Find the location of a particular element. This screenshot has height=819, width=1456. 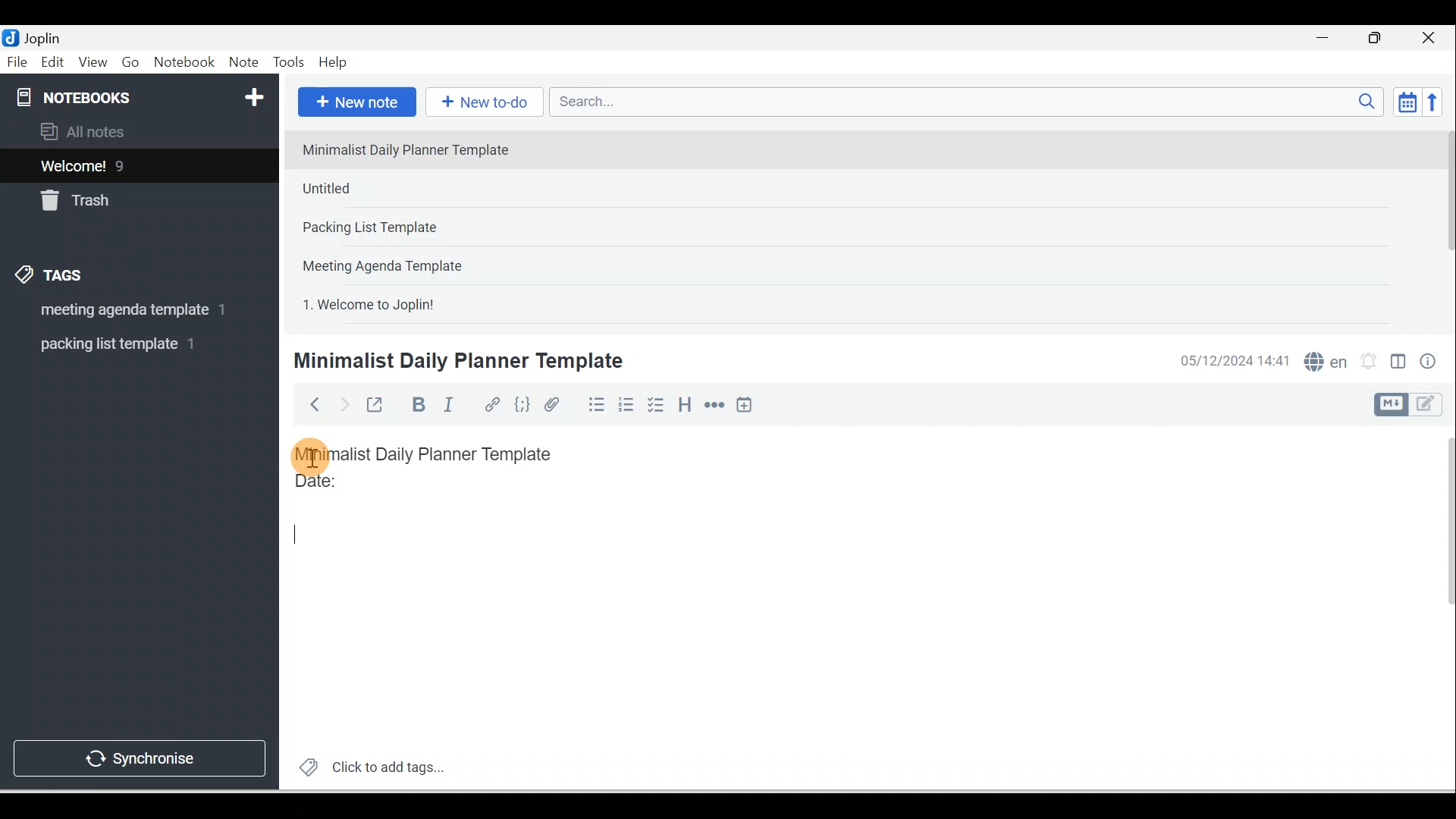

Go is located at coordinates (133, 63).